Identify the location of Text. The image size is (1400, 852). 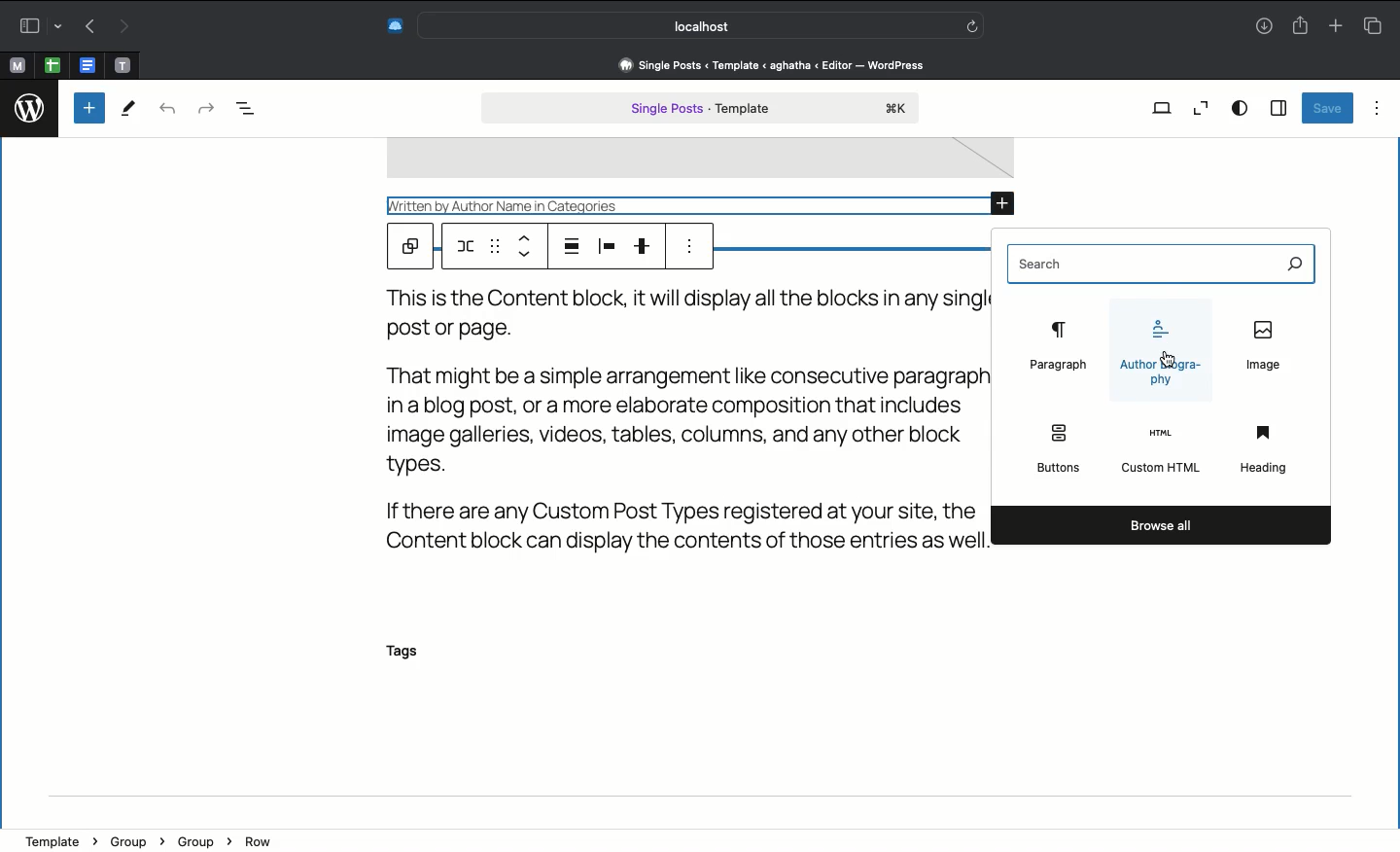
(685, 419).